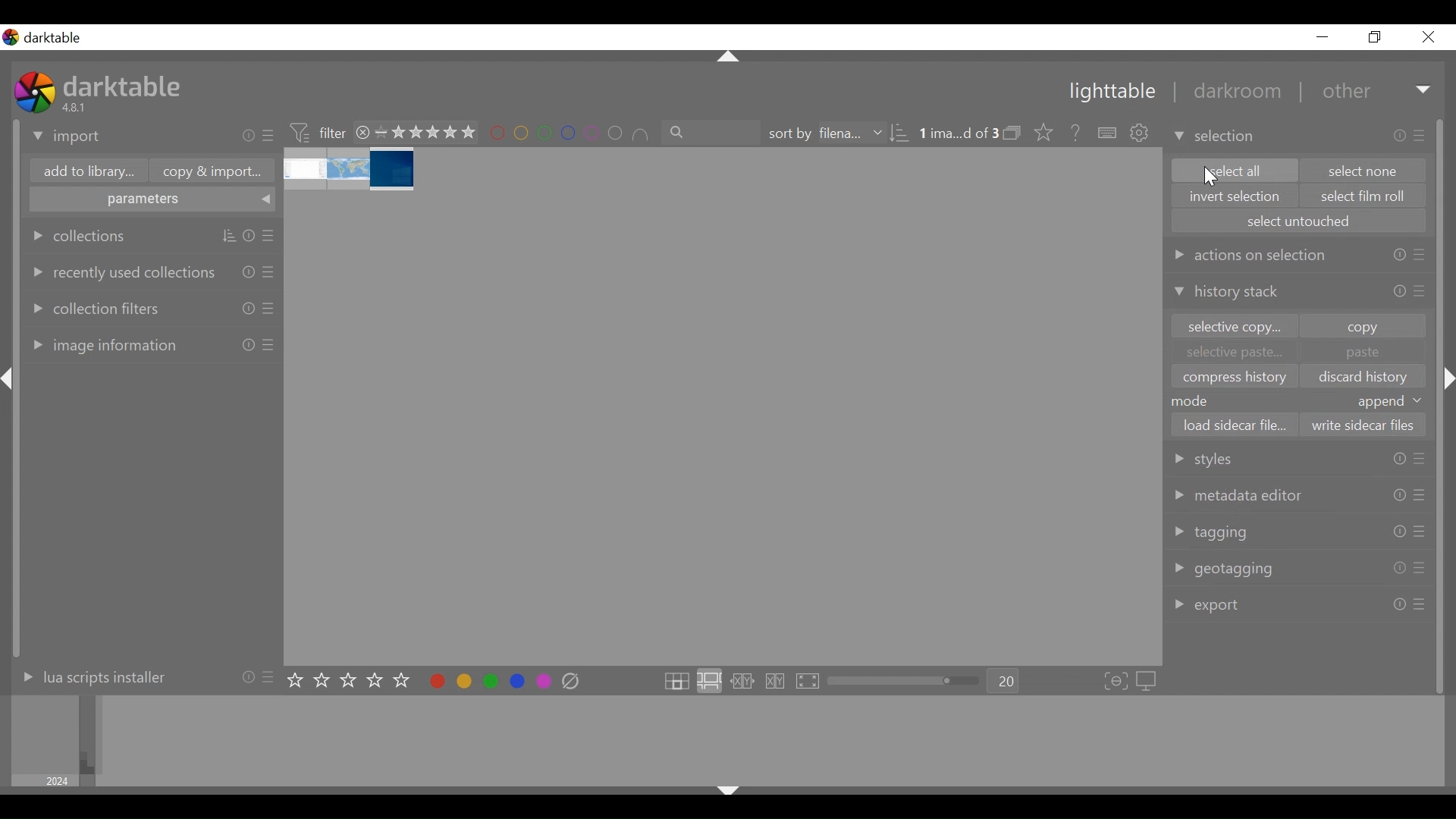 This screenshot has width=1456, height=819. I want to click on select untouched, so click(1298, 221).